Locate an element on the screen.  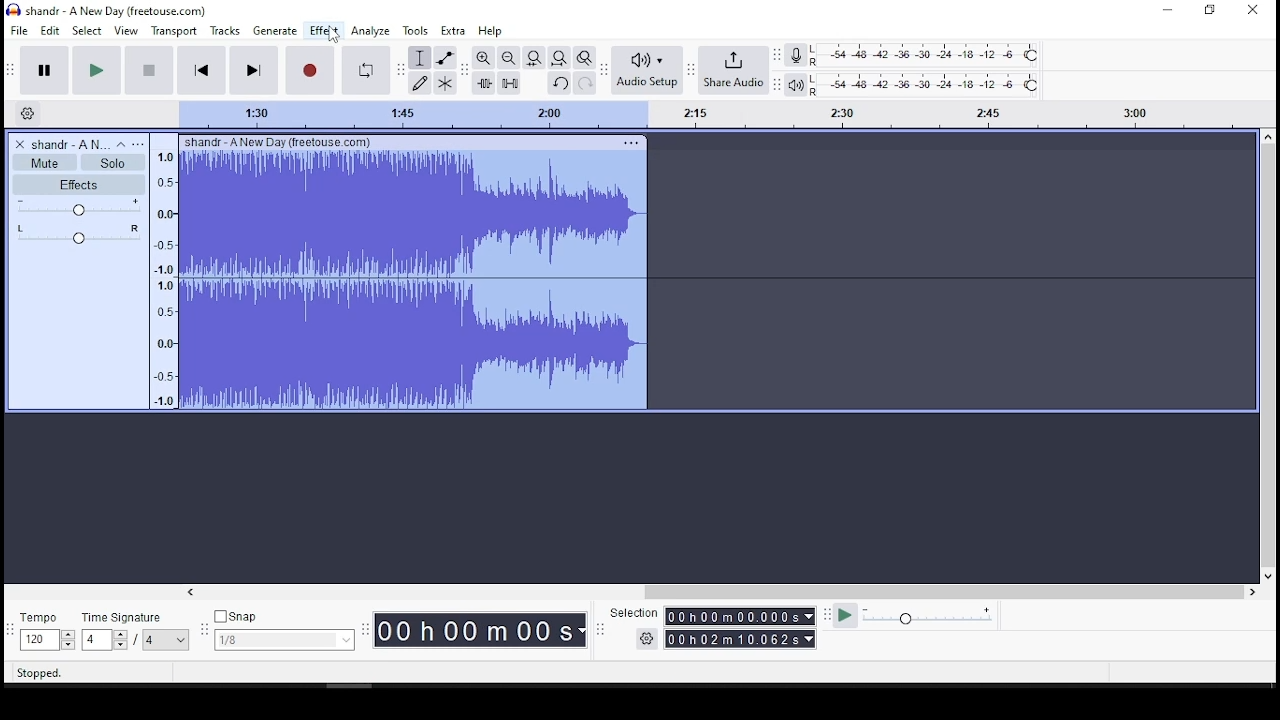
audio name is located at coordinates (70, 143).